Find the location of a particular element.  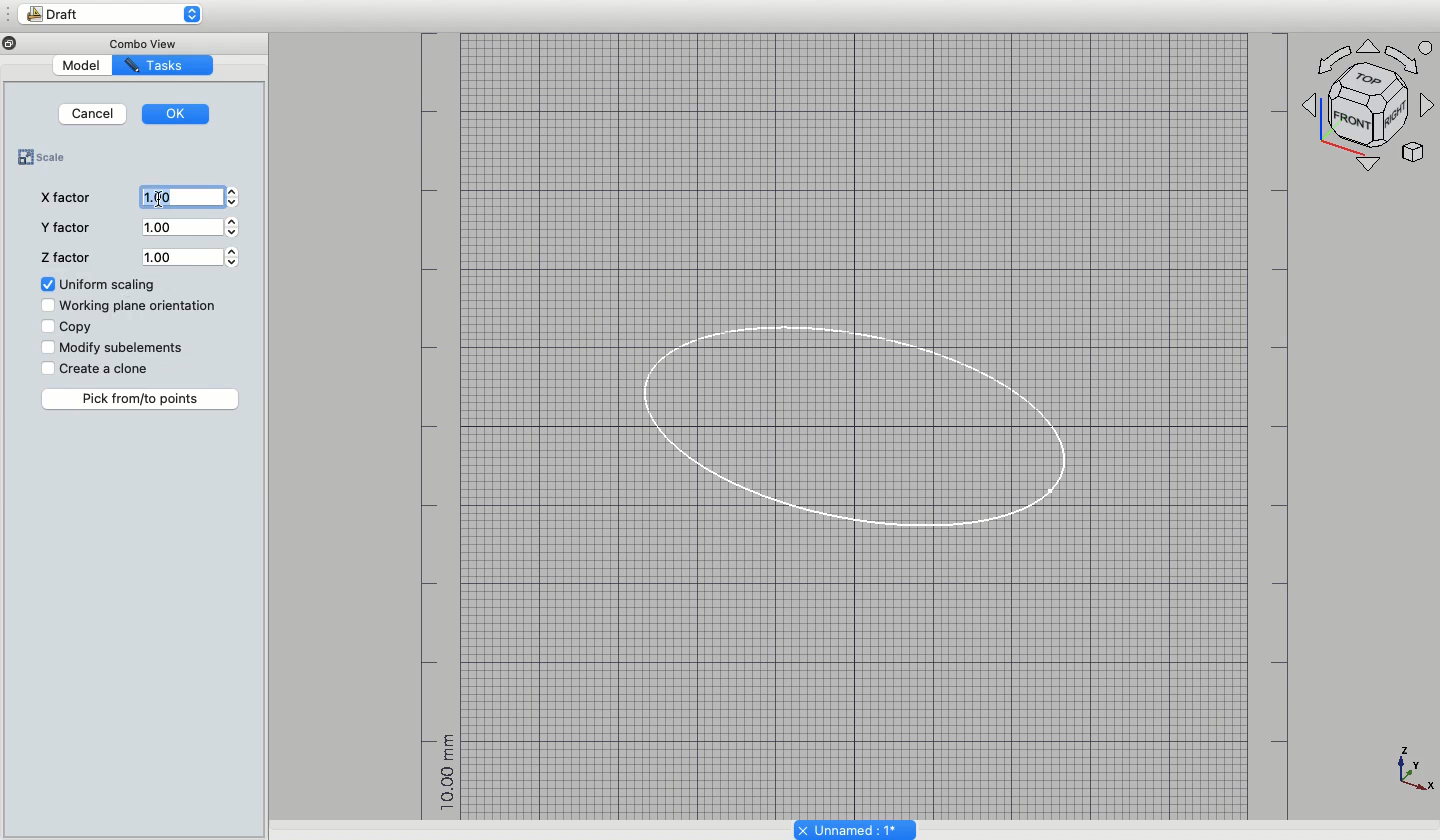

OK is located at coordinates (178, 113).